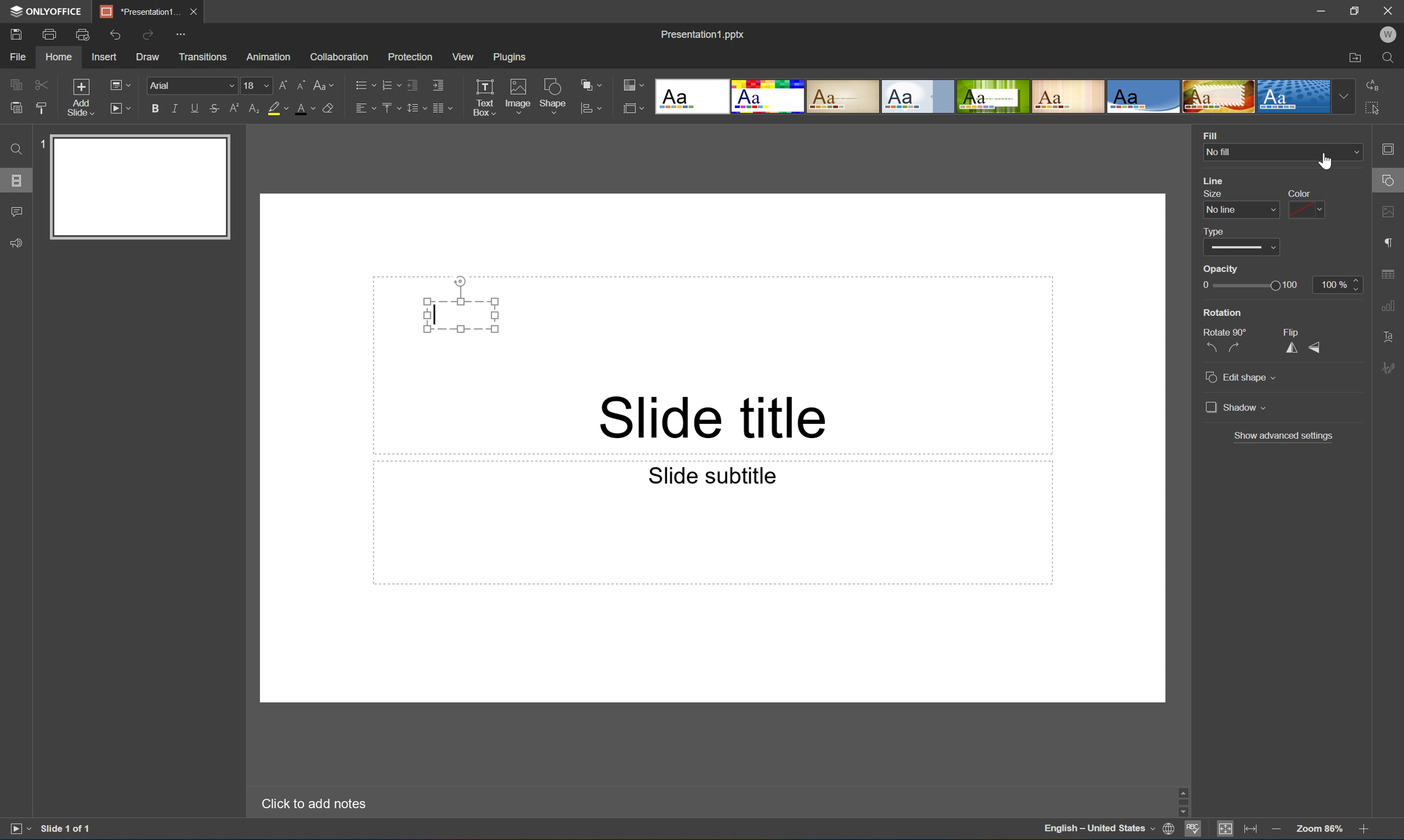 This screenshot has width=1404, height=840. What do you see at coordinates (156, 106) in the screenshot?
I see `Bold` at bounding box center [156, 106].